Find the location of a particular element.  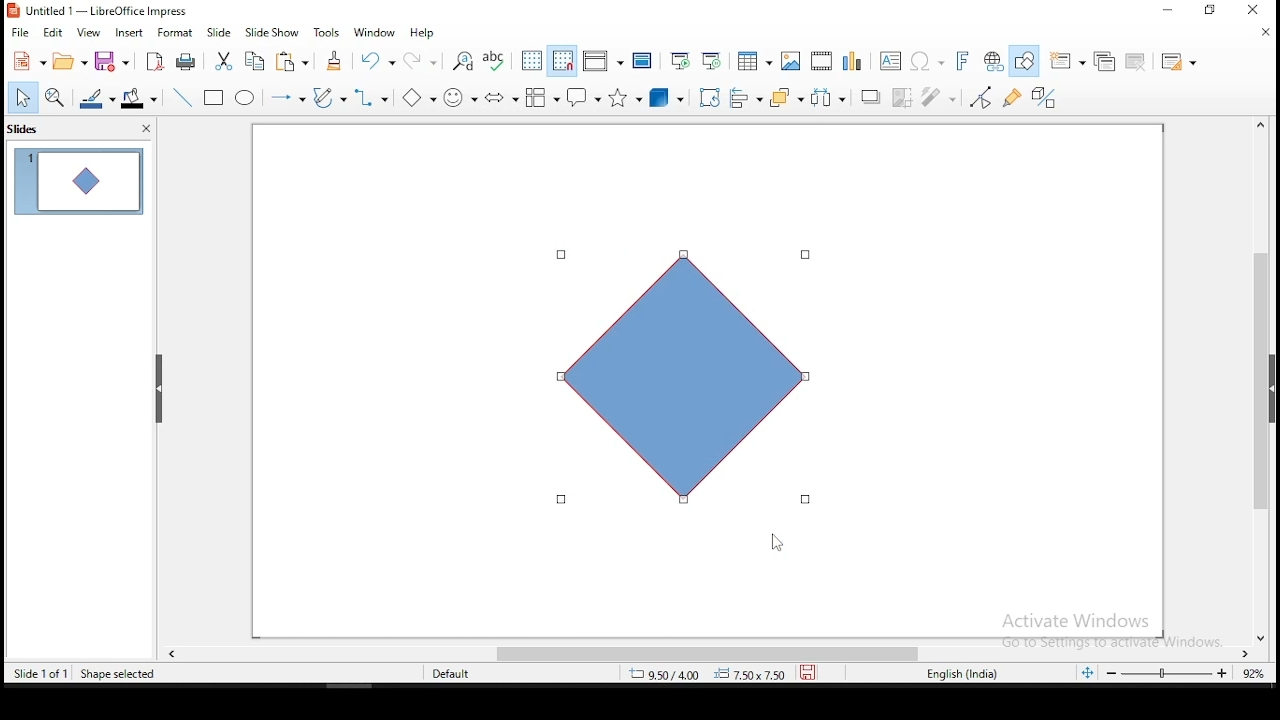

crop image is located at coordinates (903, 100).